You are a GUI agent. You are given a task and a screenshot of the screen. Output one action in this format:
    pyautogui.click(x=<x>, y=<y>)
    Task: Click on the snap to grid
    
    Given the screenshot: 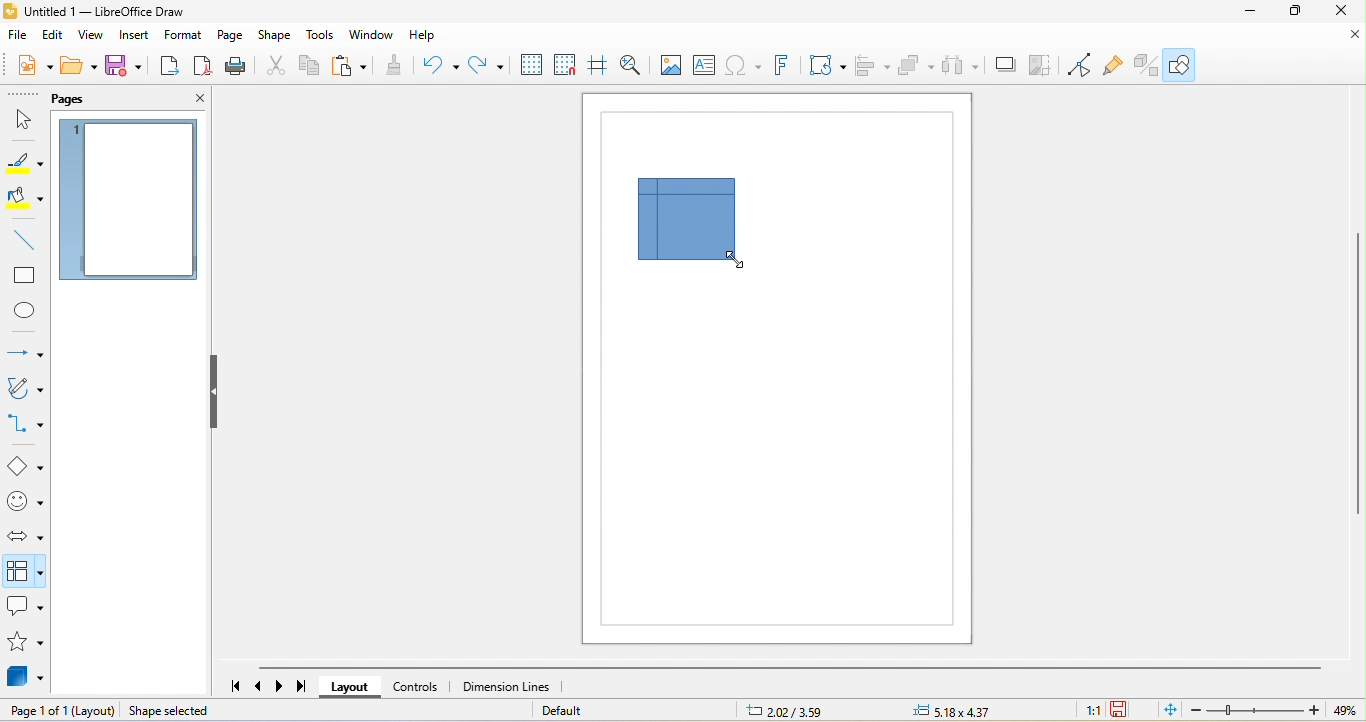 What is the action you would take?
    pyautogui.click(x=569, y=66)
    